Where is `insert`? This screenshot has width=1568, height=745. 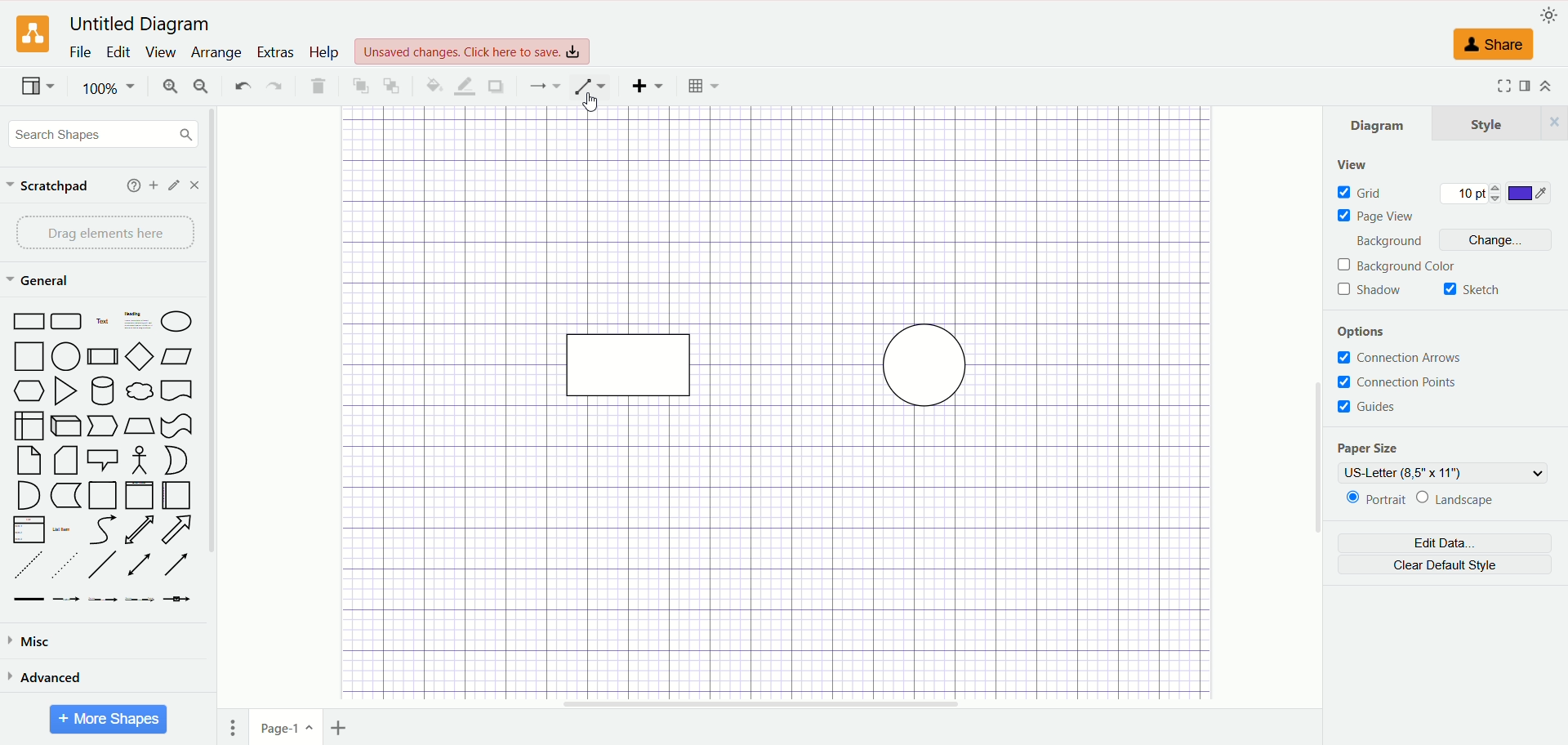
insert is located at coordinates (648, 87).